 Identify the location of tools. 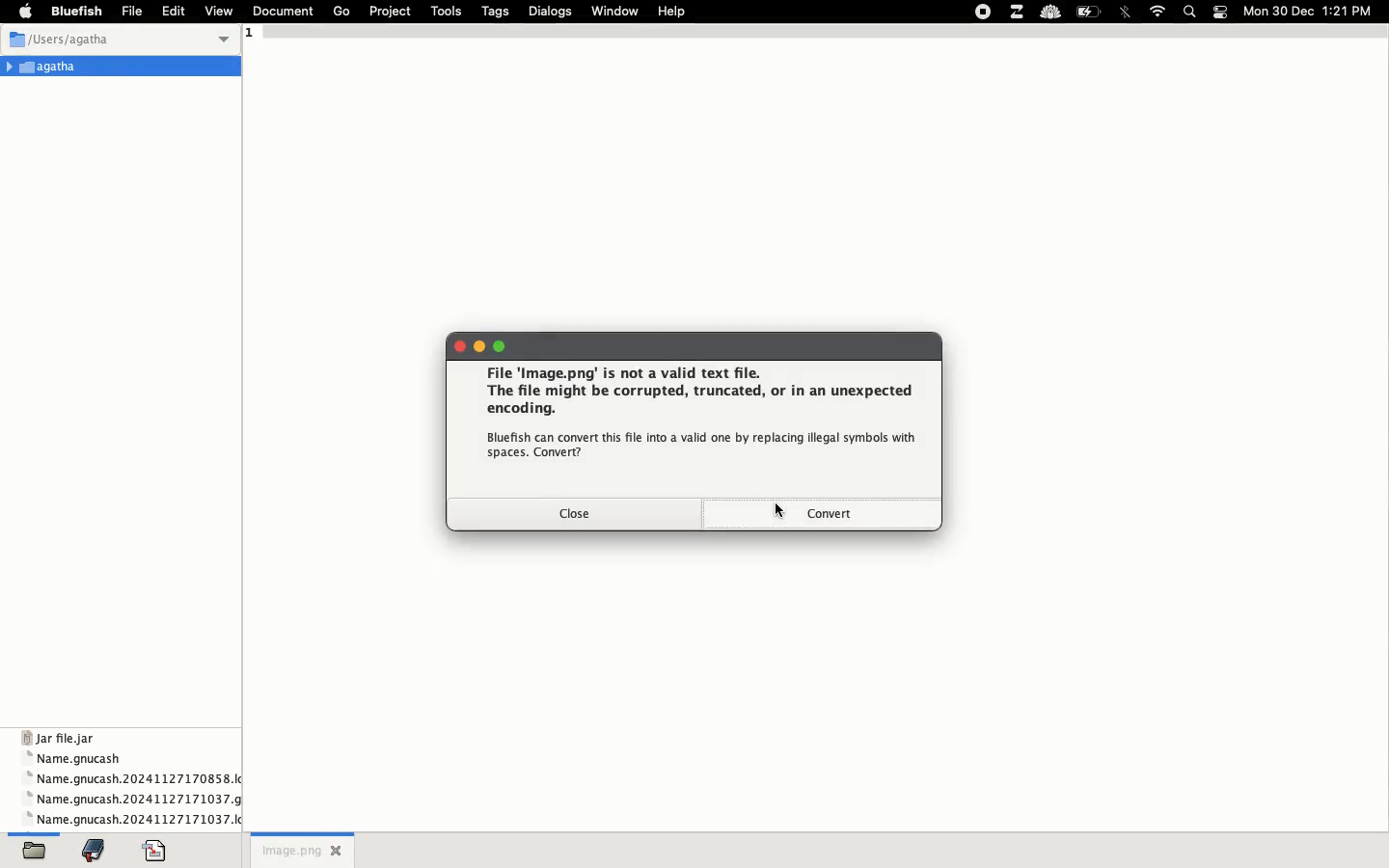
(449, 11).